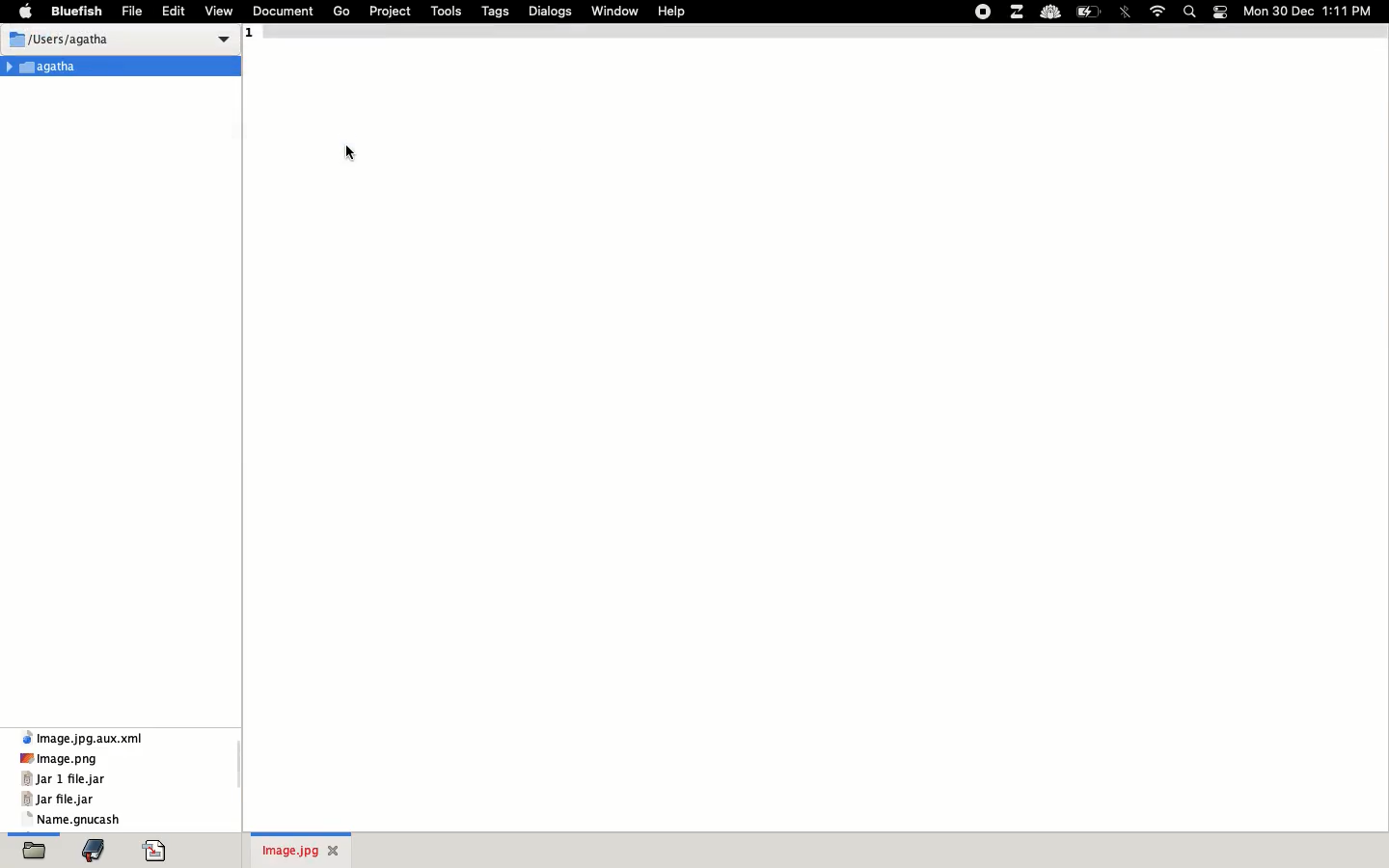  What do you see at coordinates (551, 11) in the screenshot?
I see `dialogs` at bounding box center [551, 11].